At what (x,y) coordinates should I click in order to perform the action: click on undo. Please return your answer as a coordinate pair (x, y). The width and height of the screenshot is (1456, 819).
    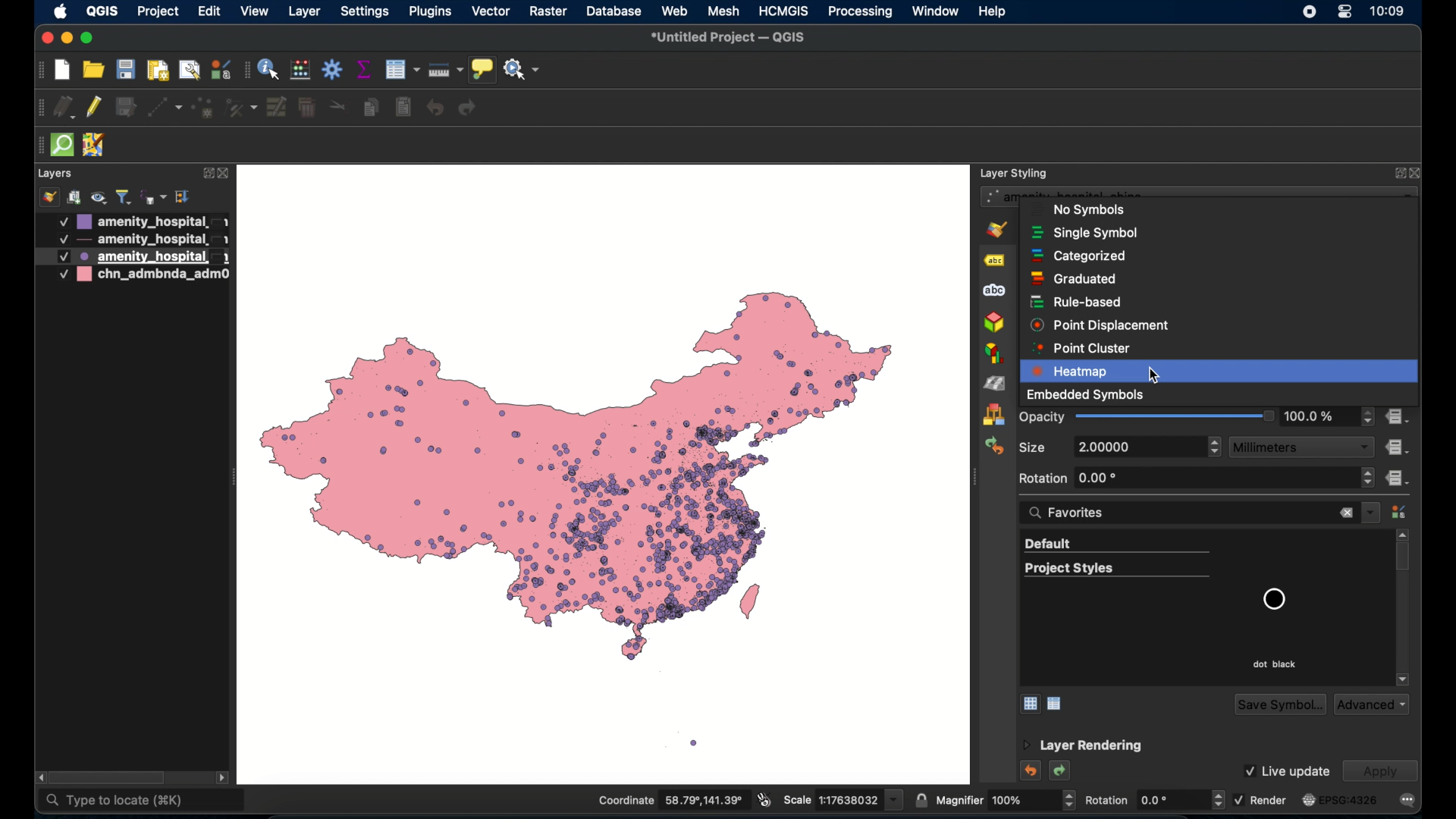
    Looking at the image, I should click on (1029, 770).